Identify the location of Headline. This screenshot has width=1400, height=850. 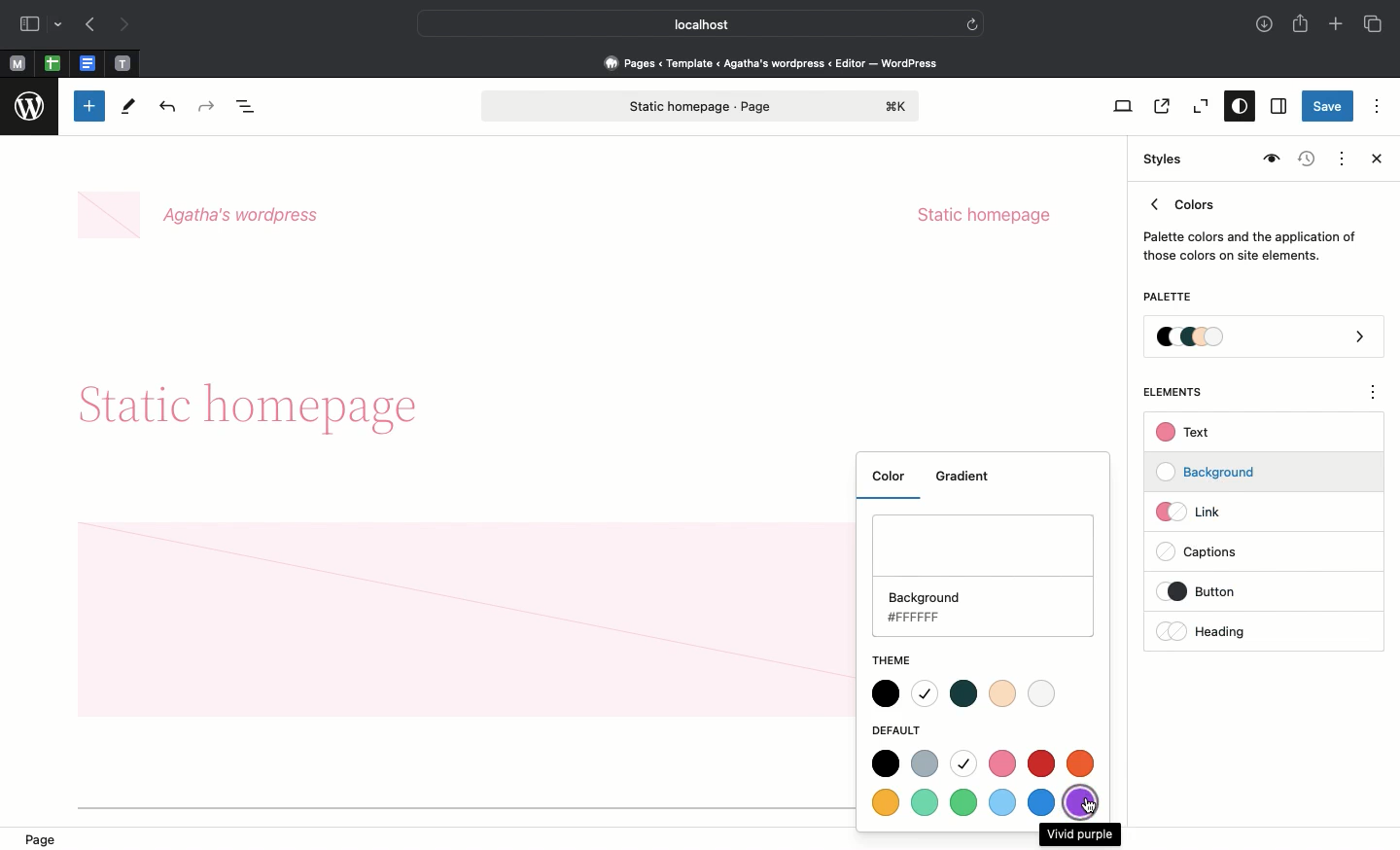
(255, 400).